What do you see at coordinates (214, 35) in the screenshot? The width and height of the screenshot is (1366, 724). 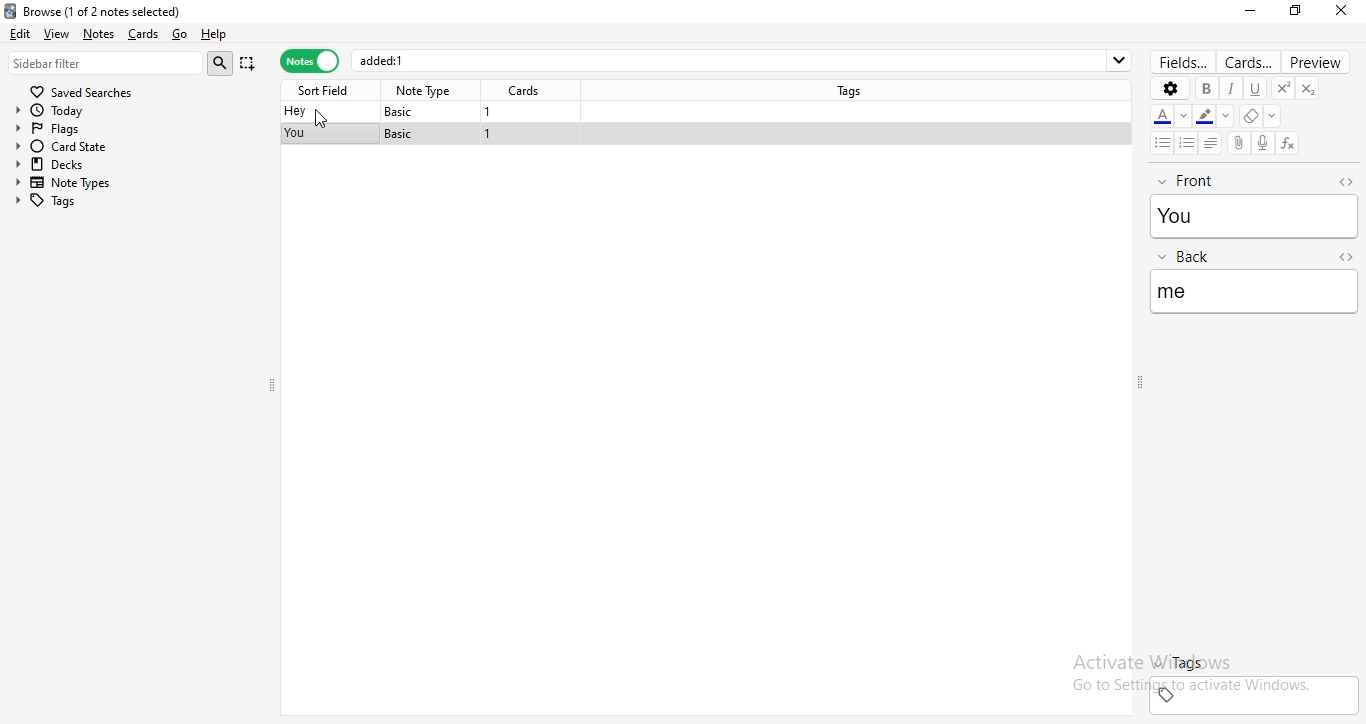 I see `help` at bounding box center [214, 35].